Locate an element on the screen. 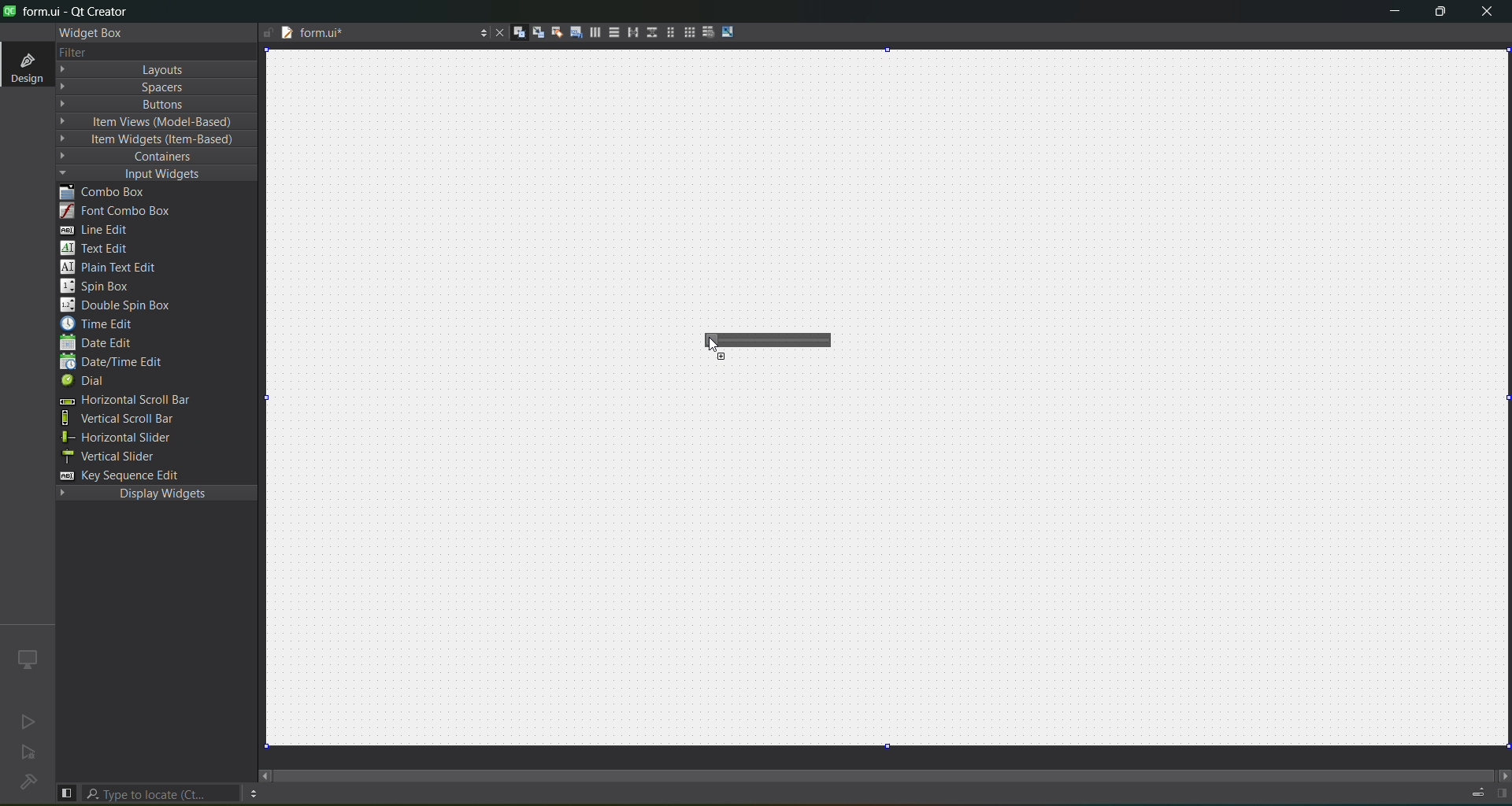 This screenshot has width=1512, height=806. maximize is located at coordinates (1443, 16).